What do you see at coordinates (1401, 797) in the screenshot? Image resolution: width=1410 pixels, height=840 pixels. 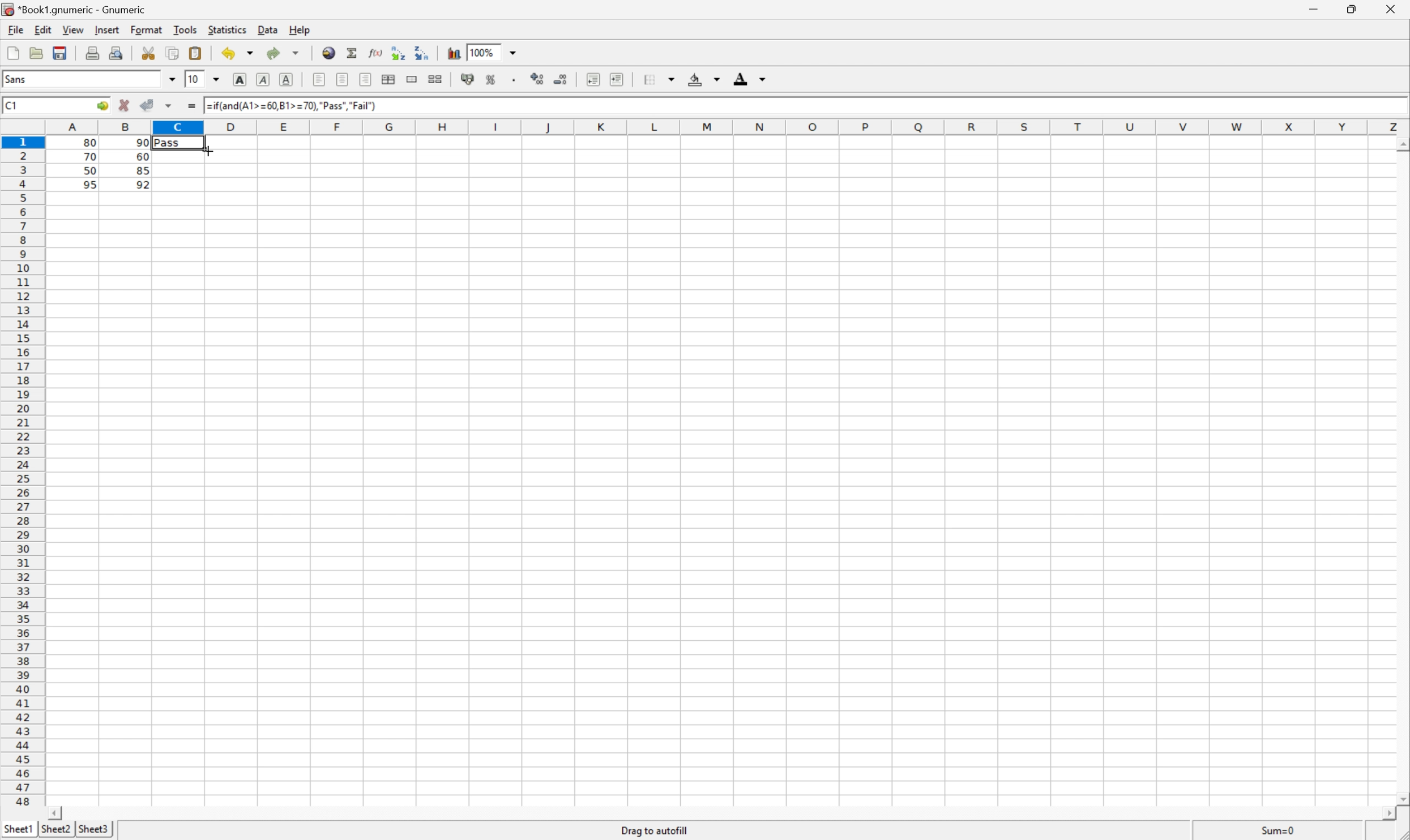 I see `Scroll Down` at bounding box center [1401, 797].